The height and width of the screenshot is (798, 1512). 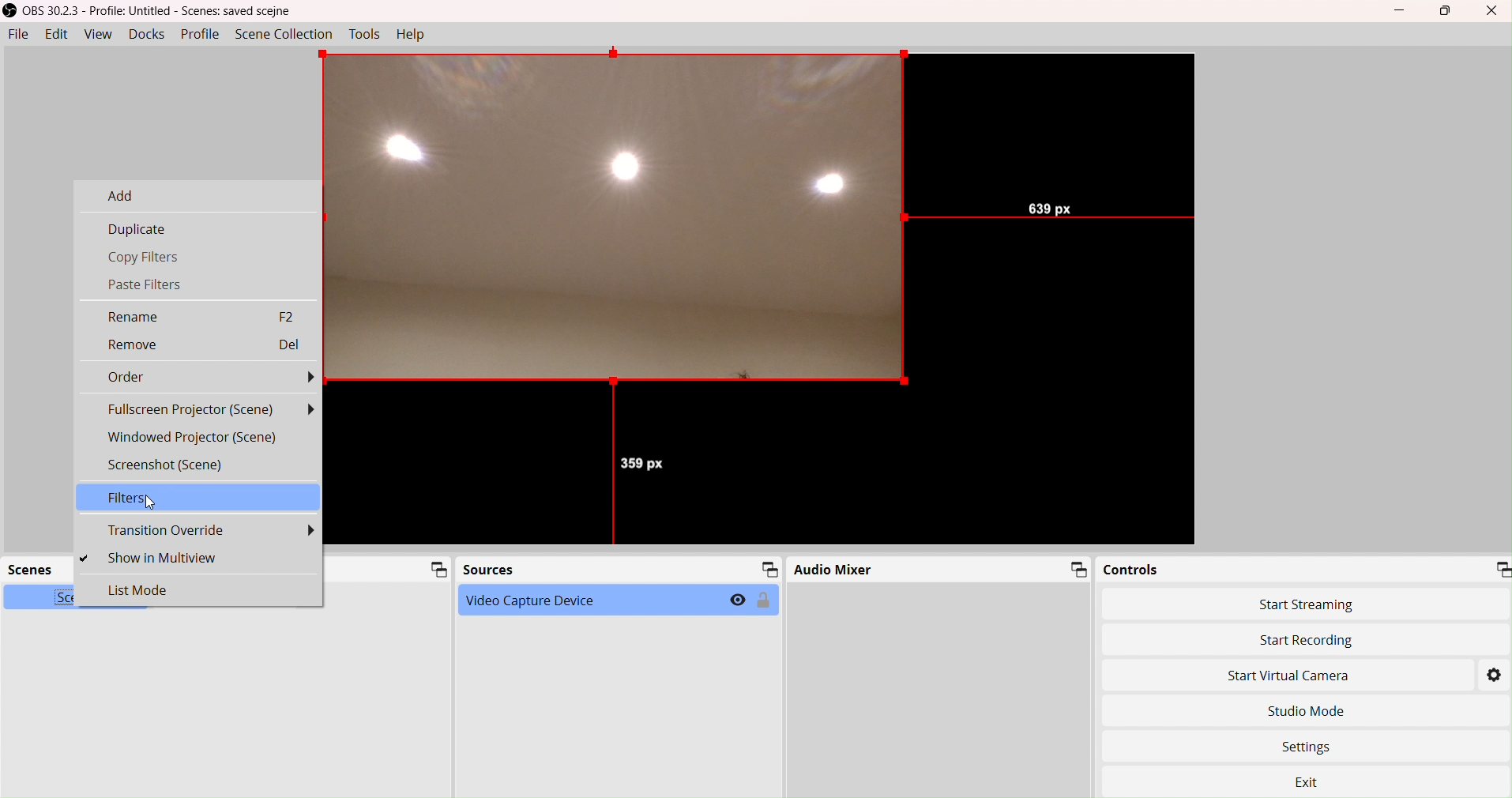 What do you see at coordinates (209, 530) in the screenshot?
I see `Transition Override` at bounding box center [209, 530].